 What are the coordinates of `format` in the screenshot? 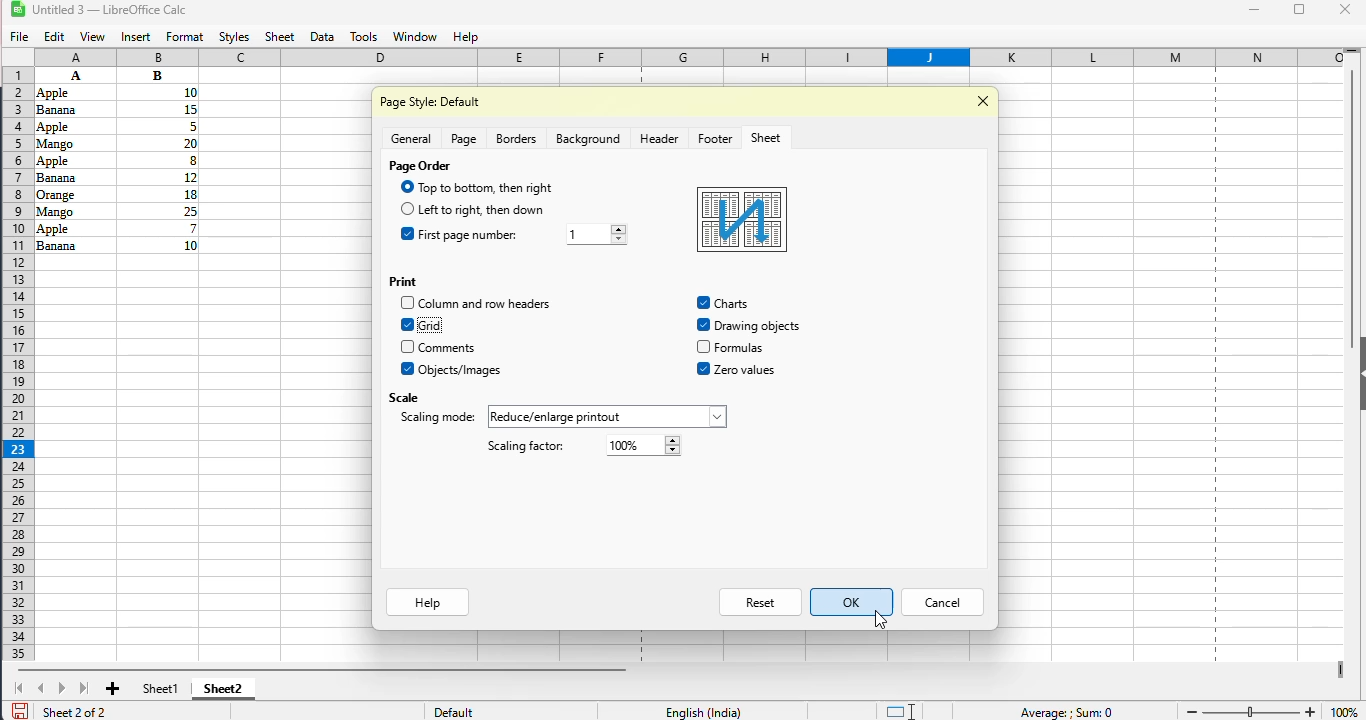 It's located at (185, 37).